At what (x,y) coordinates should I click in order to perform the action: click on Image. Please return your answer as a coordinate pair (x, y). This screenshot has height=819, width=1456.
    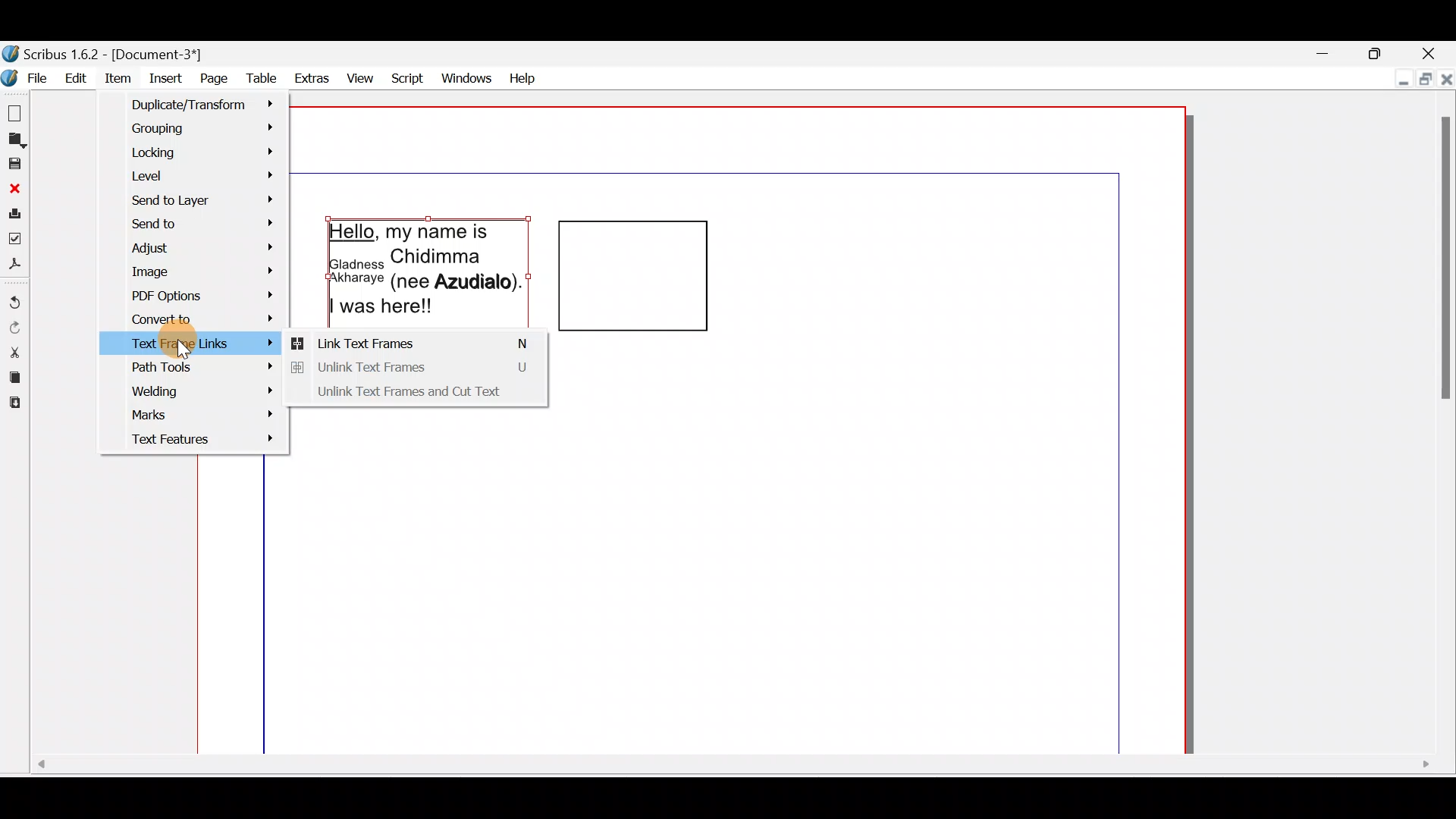
    Looking at the image, I should click on (193, 271).